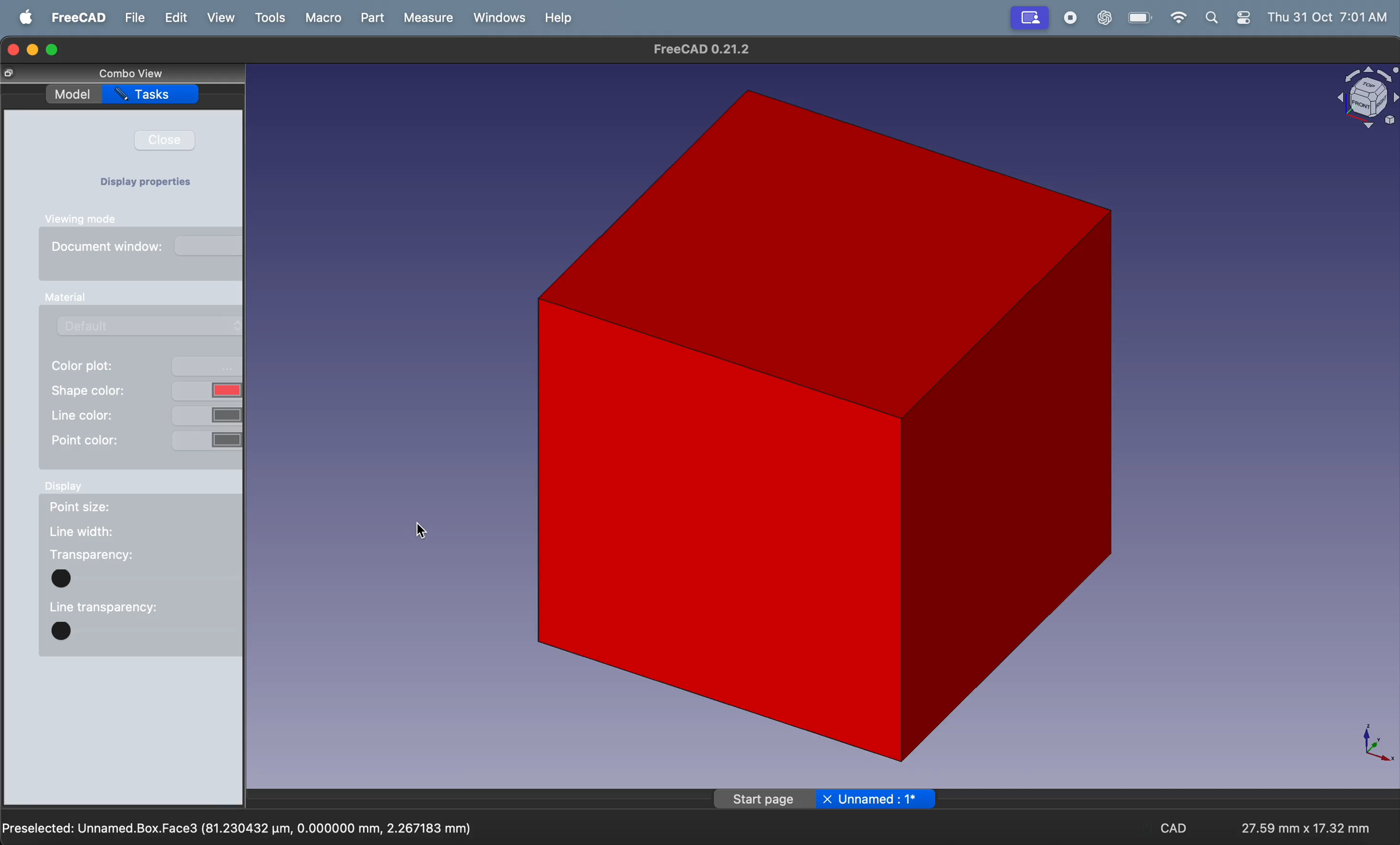  What do you see at coordinates (103, 605) in the screenshot?
I see `line transparency` at bounding box center [103, 605].